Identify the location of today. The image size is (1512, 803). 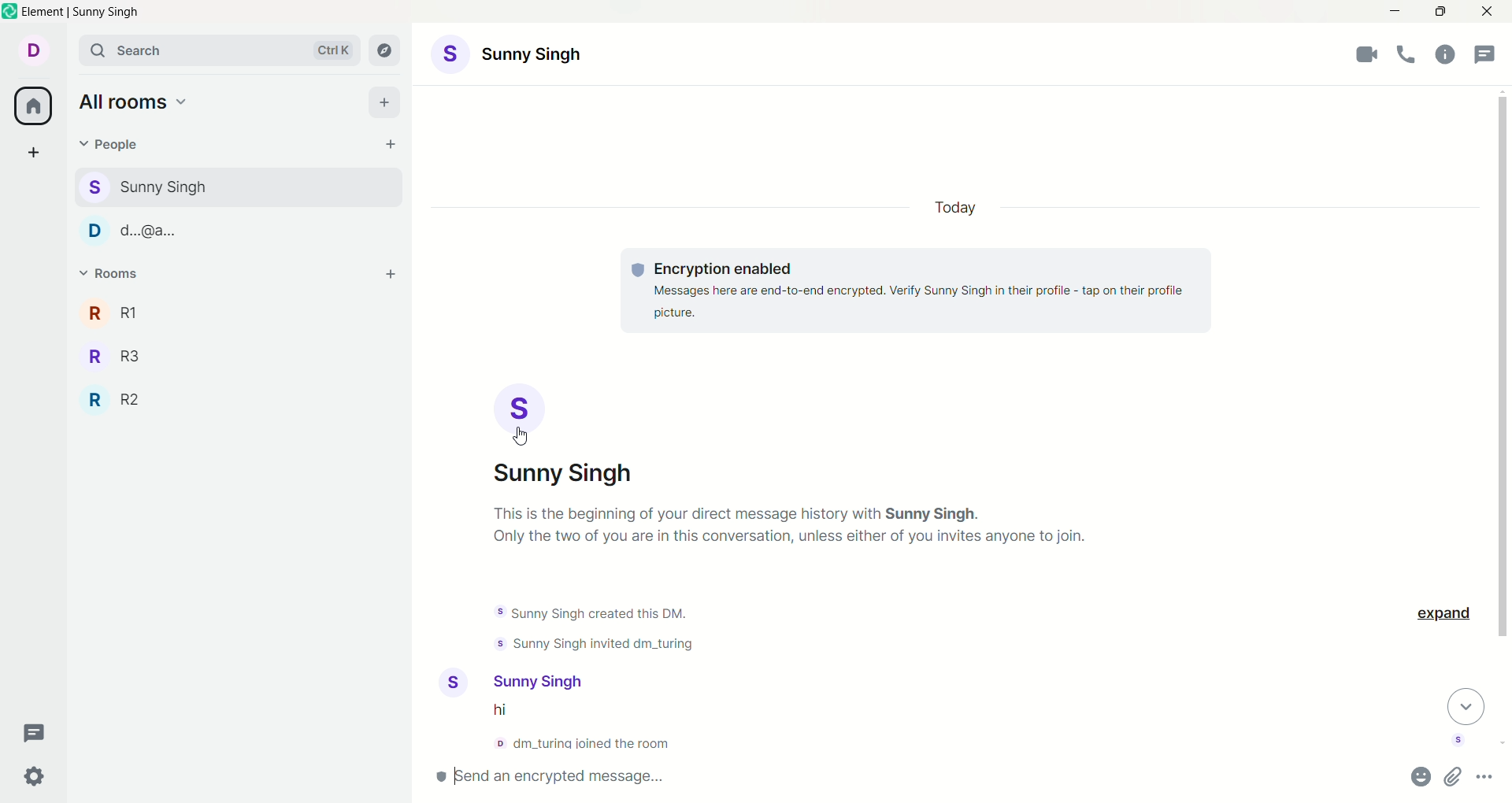
(954, 206).